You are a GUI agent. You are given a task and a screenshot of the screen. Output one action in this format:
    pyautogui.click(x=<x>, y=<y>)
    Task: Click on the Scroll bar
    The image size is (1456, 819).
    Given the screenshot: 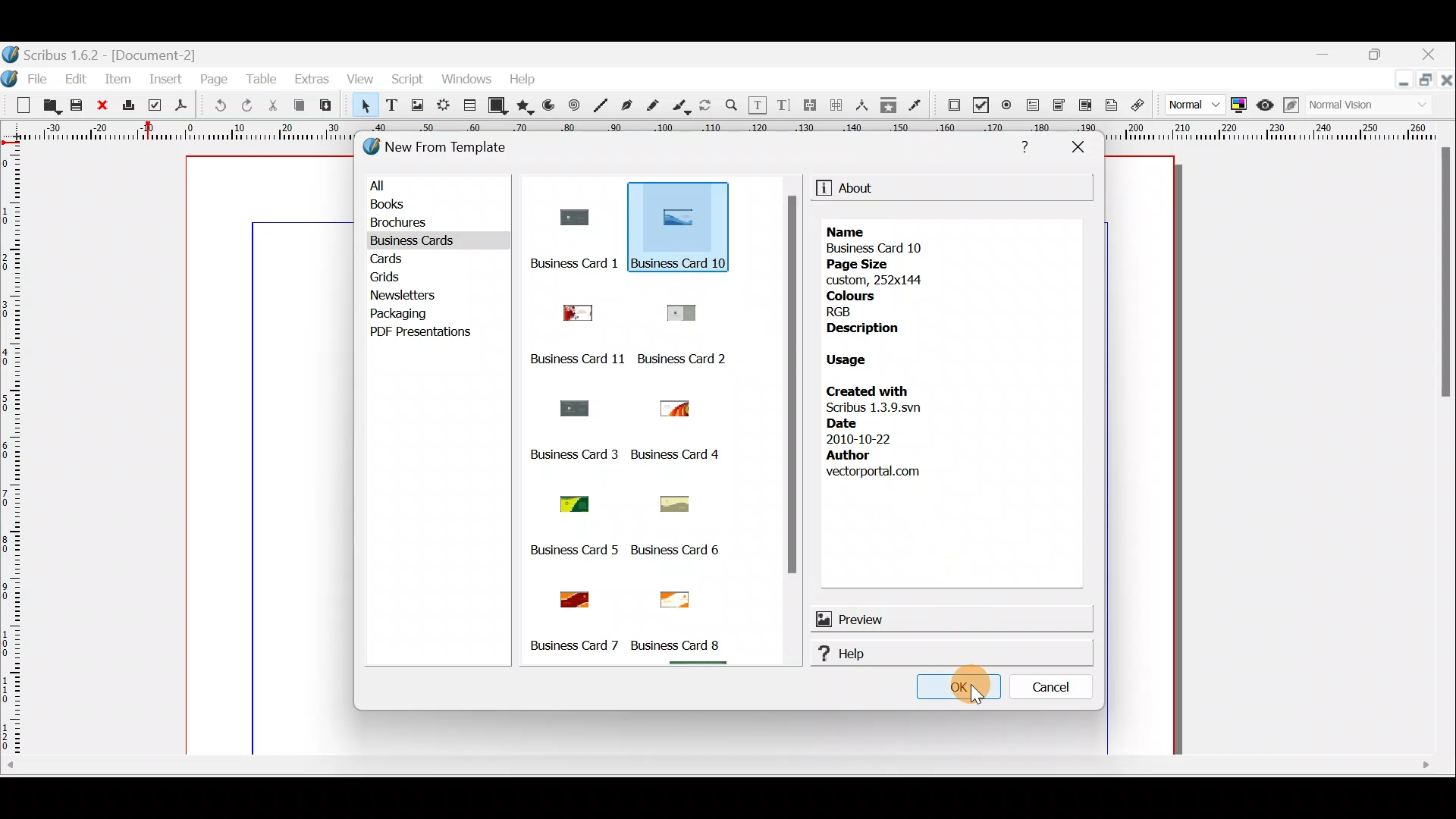 What is the action you would take?
    pyautogui.click(x=645, y=666)
    